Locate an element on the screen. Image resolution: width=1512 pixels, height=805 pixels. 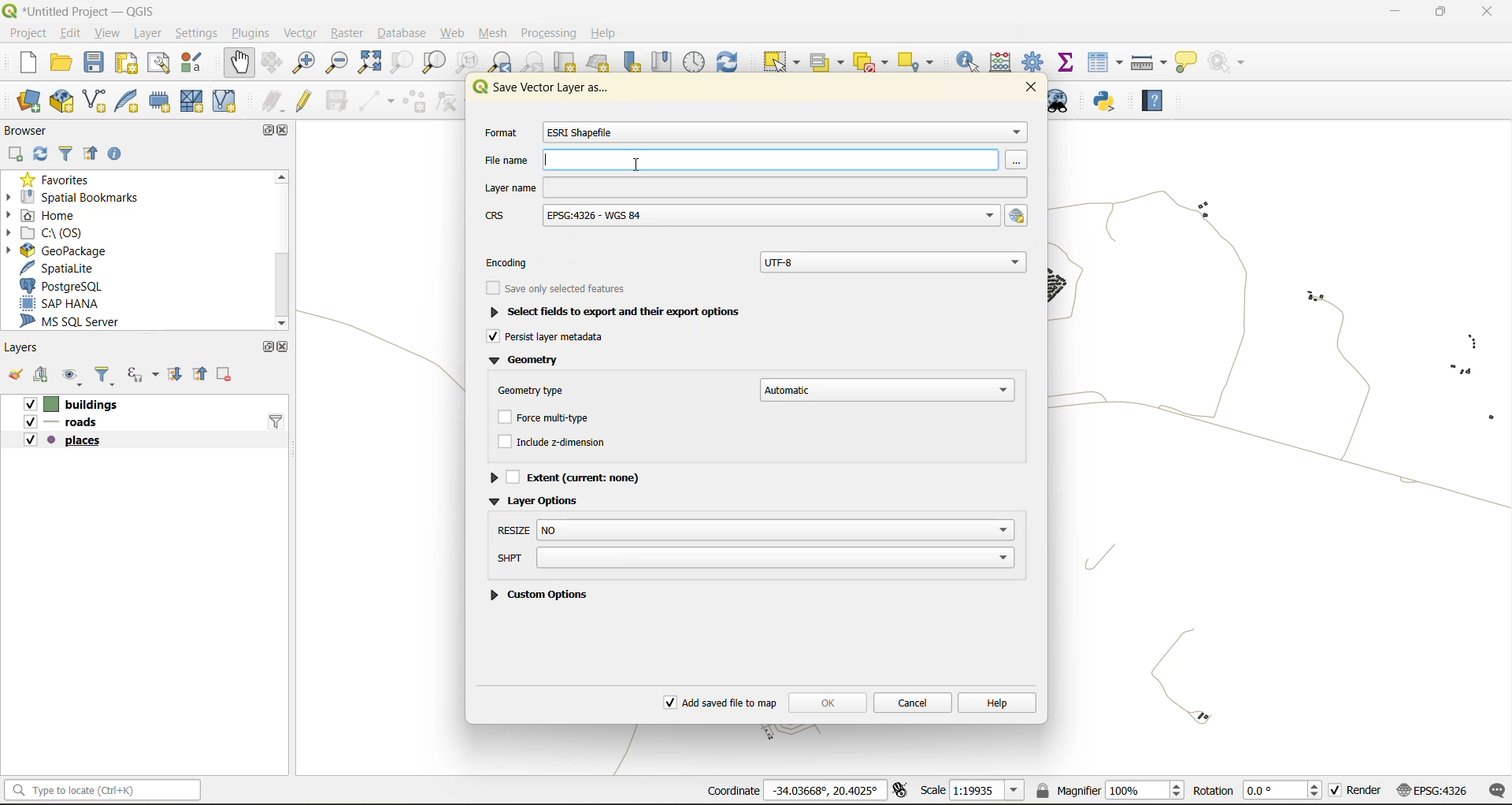
format is located at coordinates (499, 135).